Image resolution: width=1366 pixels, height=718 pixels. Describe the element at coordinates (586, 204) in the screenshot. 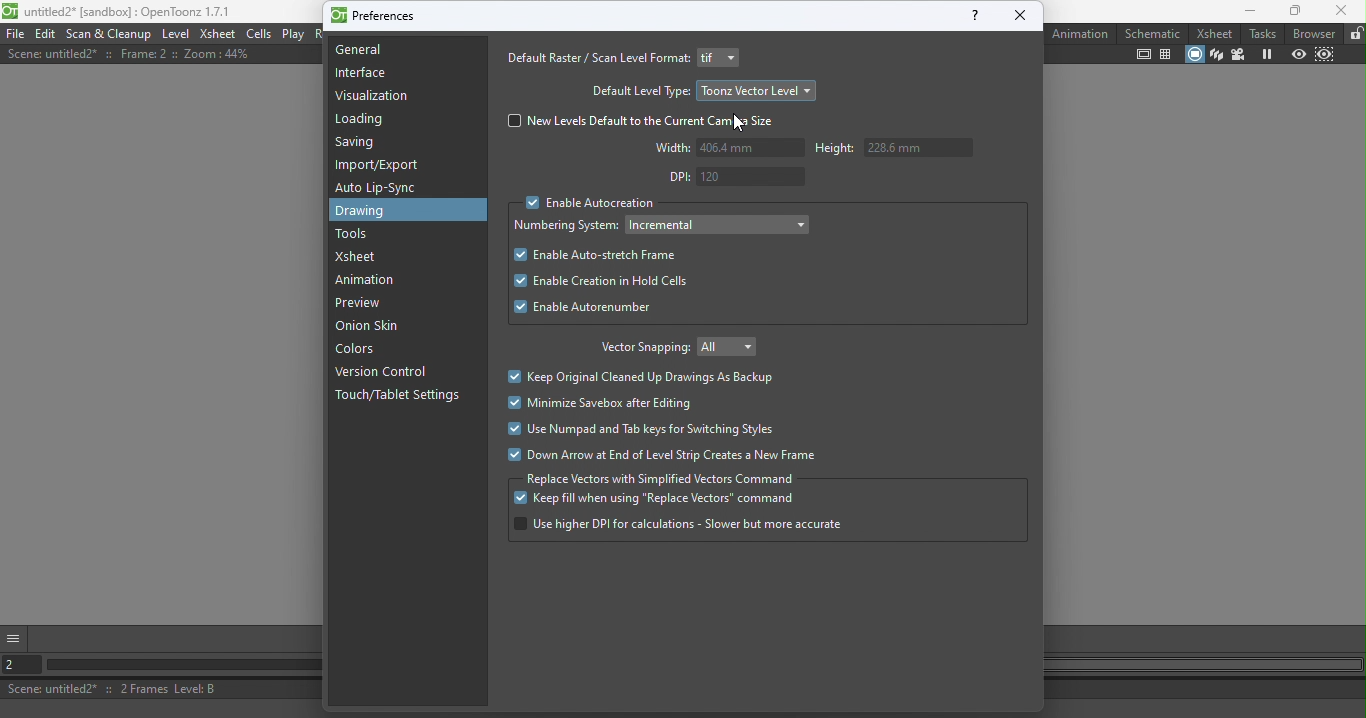

I see `Enable Autocreation` at that location.